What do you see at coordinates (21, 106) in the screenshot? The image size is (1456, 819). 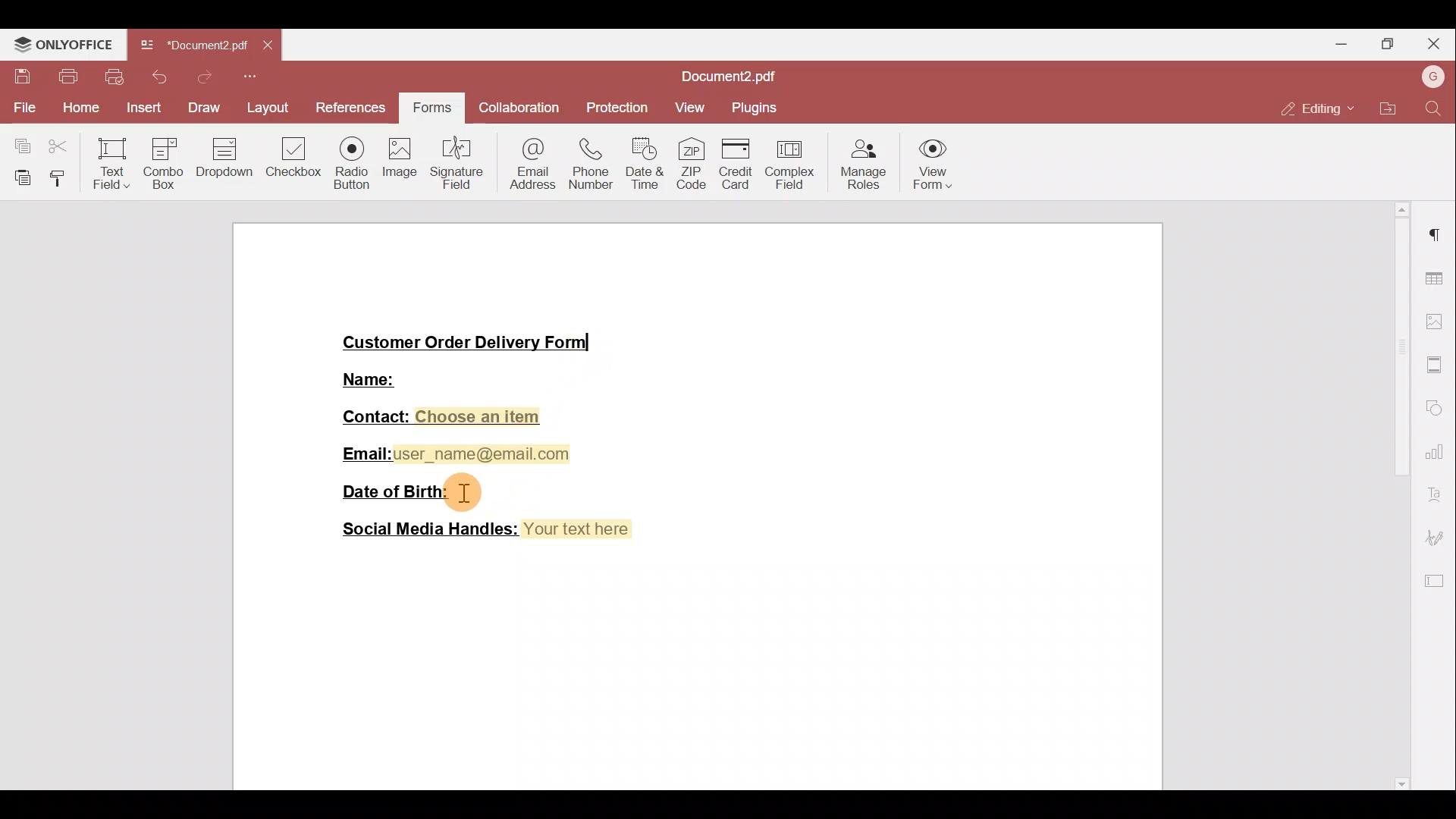 I see `File` at bounding box center [21, 106].